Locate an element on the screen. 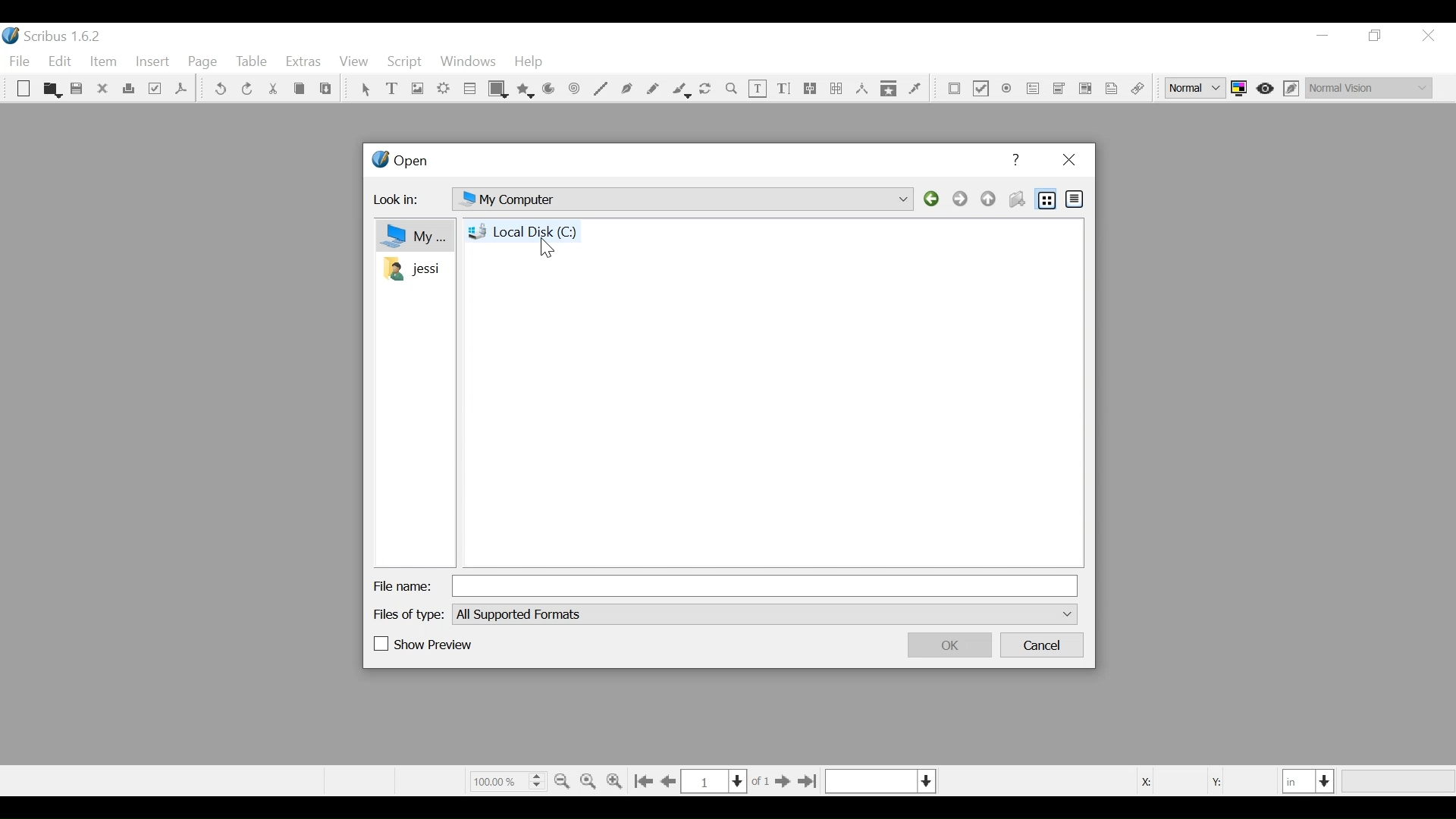 The image size is (1456, 819). Calligraphic line is located at coordinates (680, 90).